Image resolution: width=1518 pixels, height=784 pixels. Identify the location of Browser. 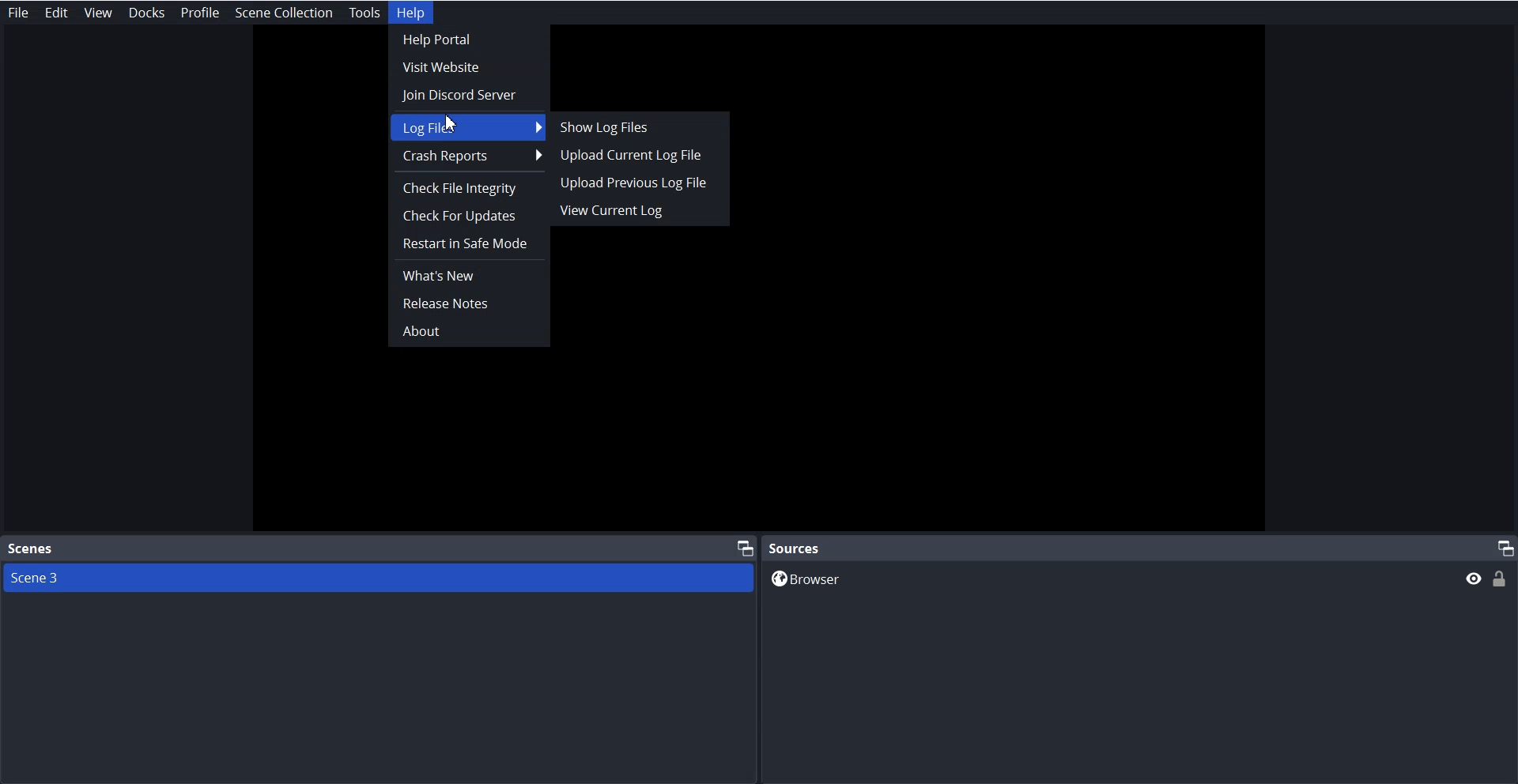
(1071, 579).